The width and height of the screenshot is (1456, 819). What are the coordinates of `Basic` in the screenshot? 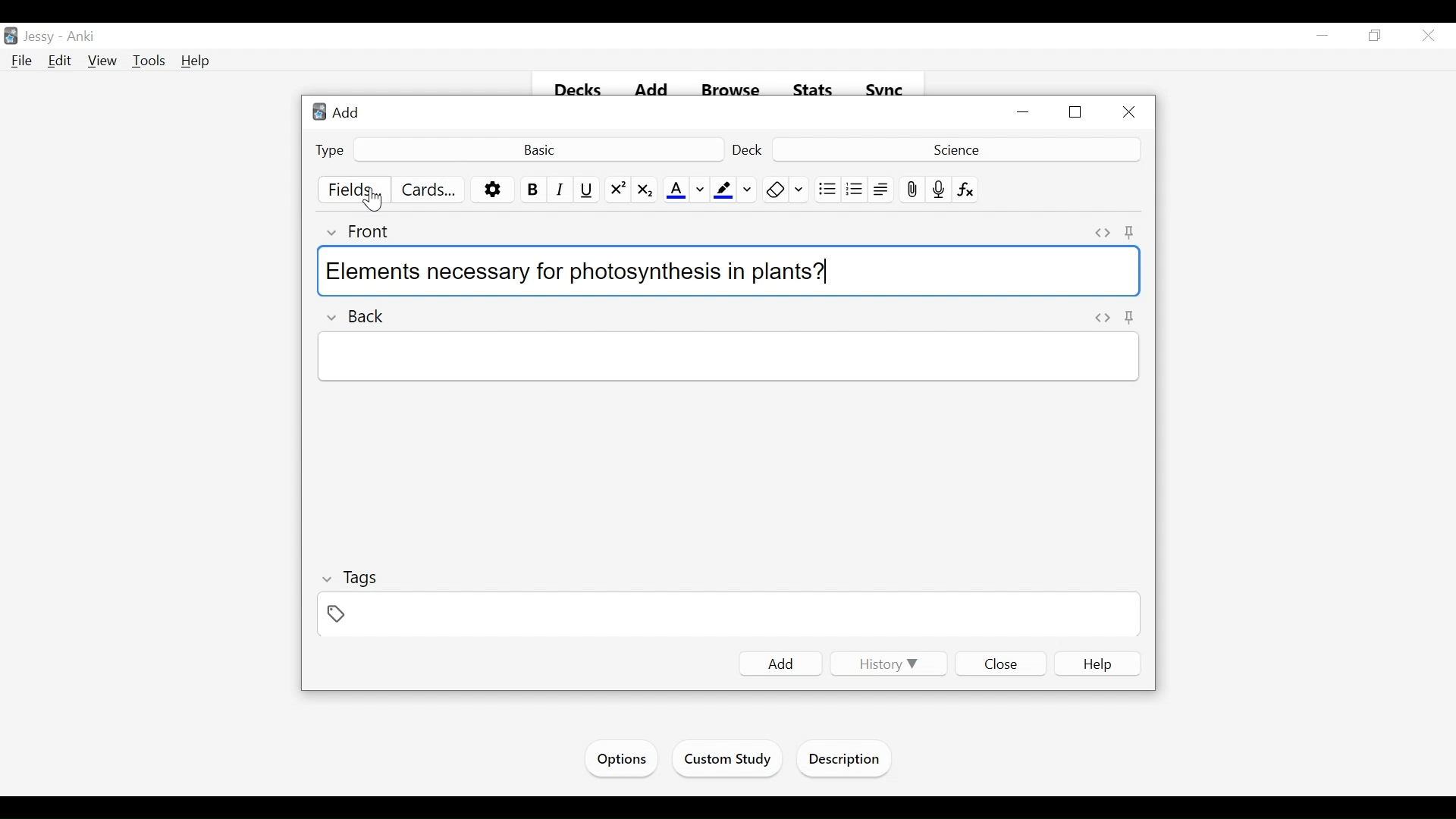 It's located at (538, 149).